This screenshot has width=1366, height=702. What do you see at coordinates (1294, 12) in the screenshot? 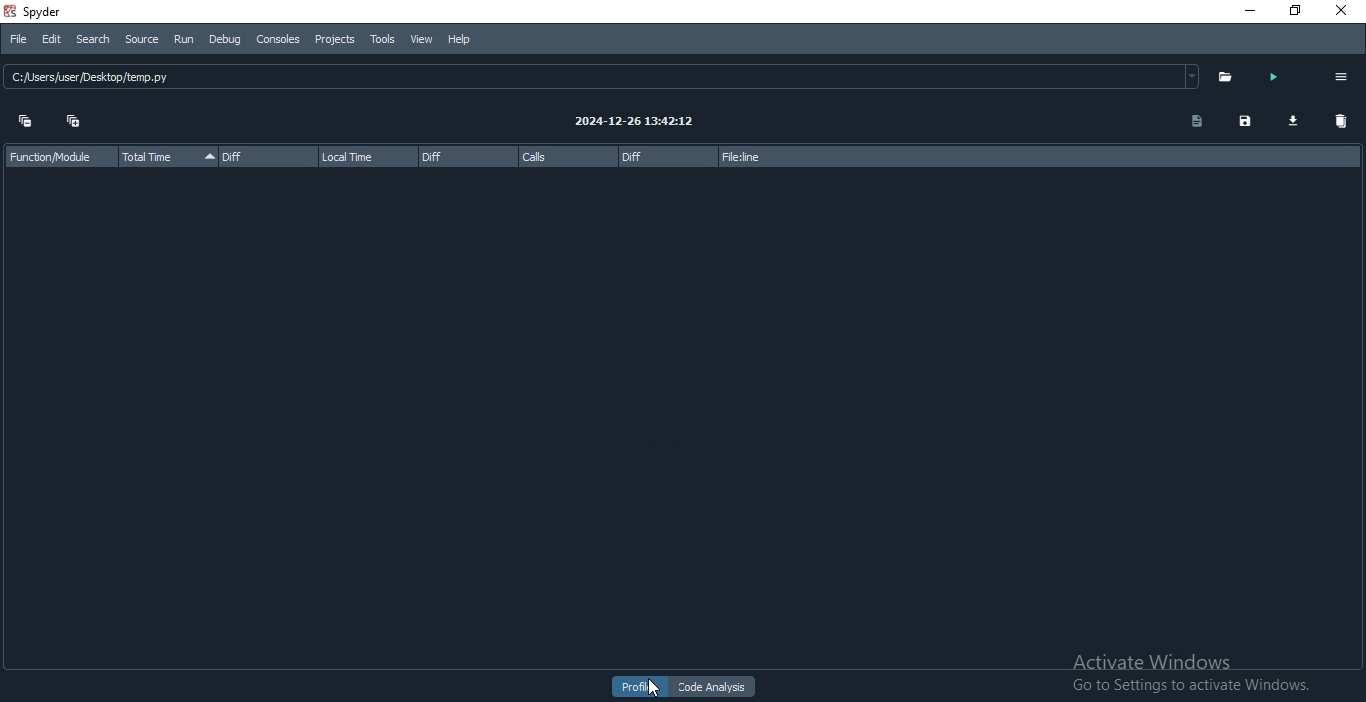
I see `restore` at bounding box center [1294, 12].